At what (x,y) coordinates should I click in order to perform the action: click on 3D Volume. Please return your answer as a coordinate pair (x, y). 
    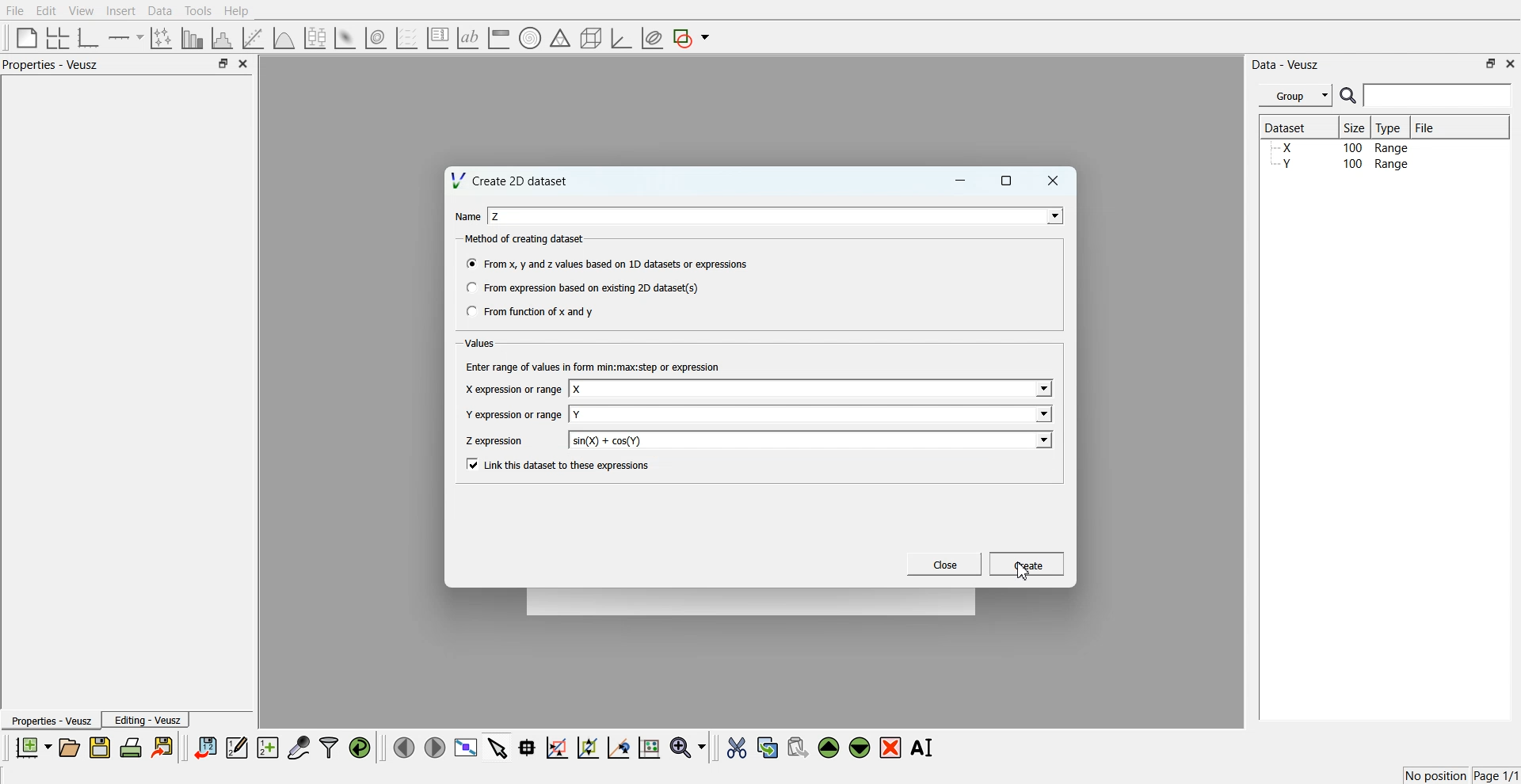
    Looking at the image, I should click on (375, 38).